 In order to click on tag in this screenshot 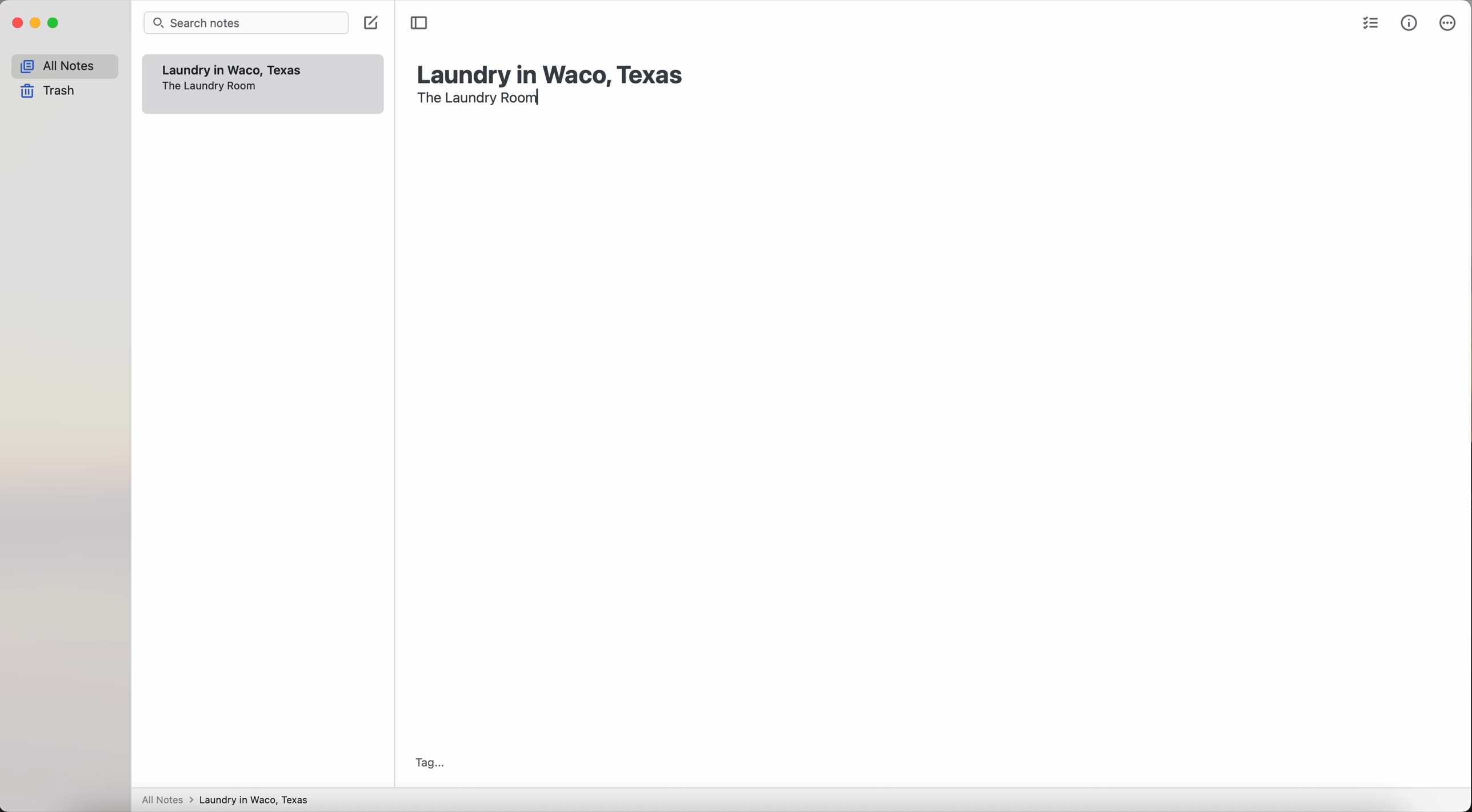, I will do `click(426, 763)`.